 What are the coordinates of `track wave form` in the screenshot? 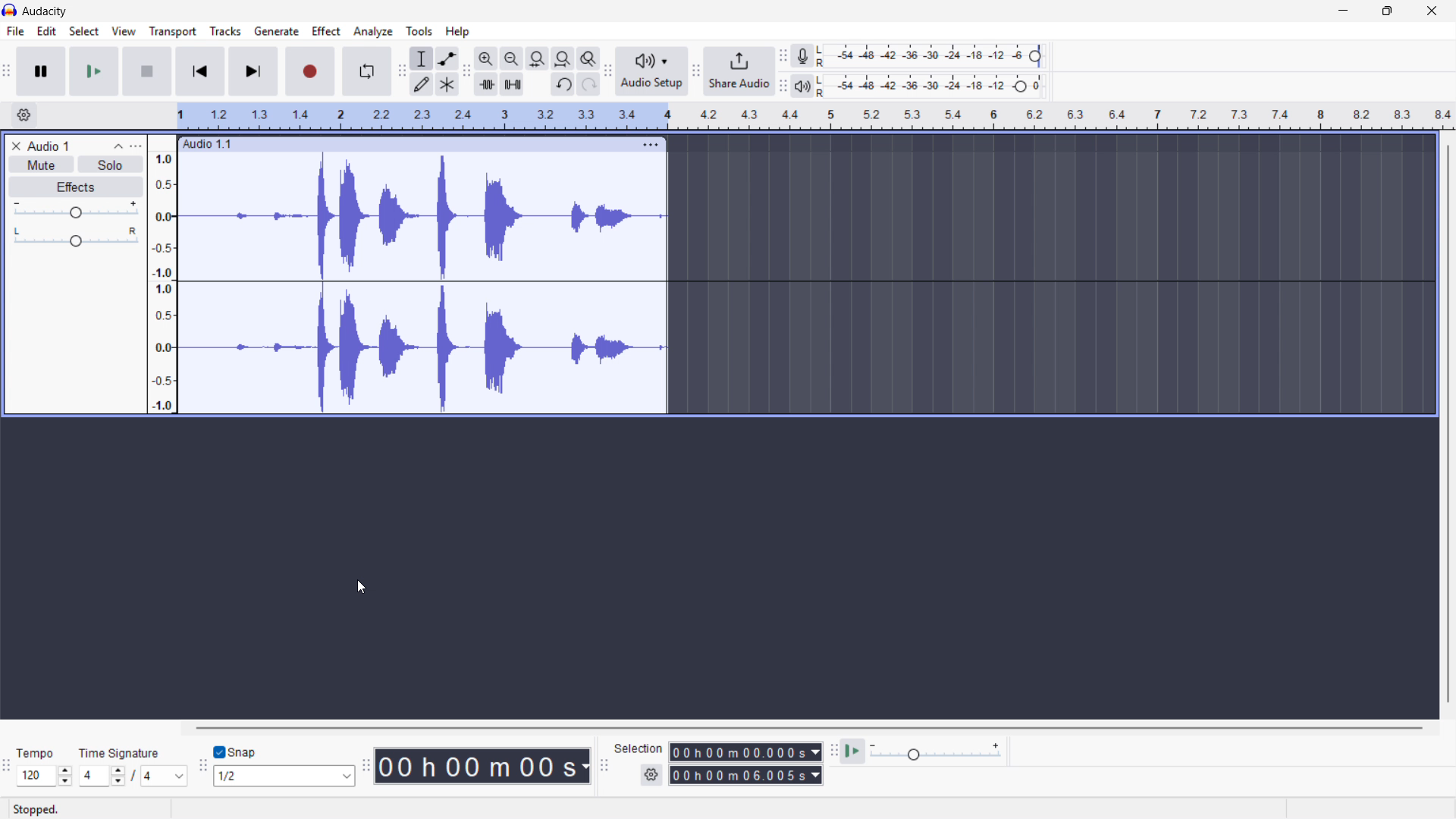 It's located at (426, 352).